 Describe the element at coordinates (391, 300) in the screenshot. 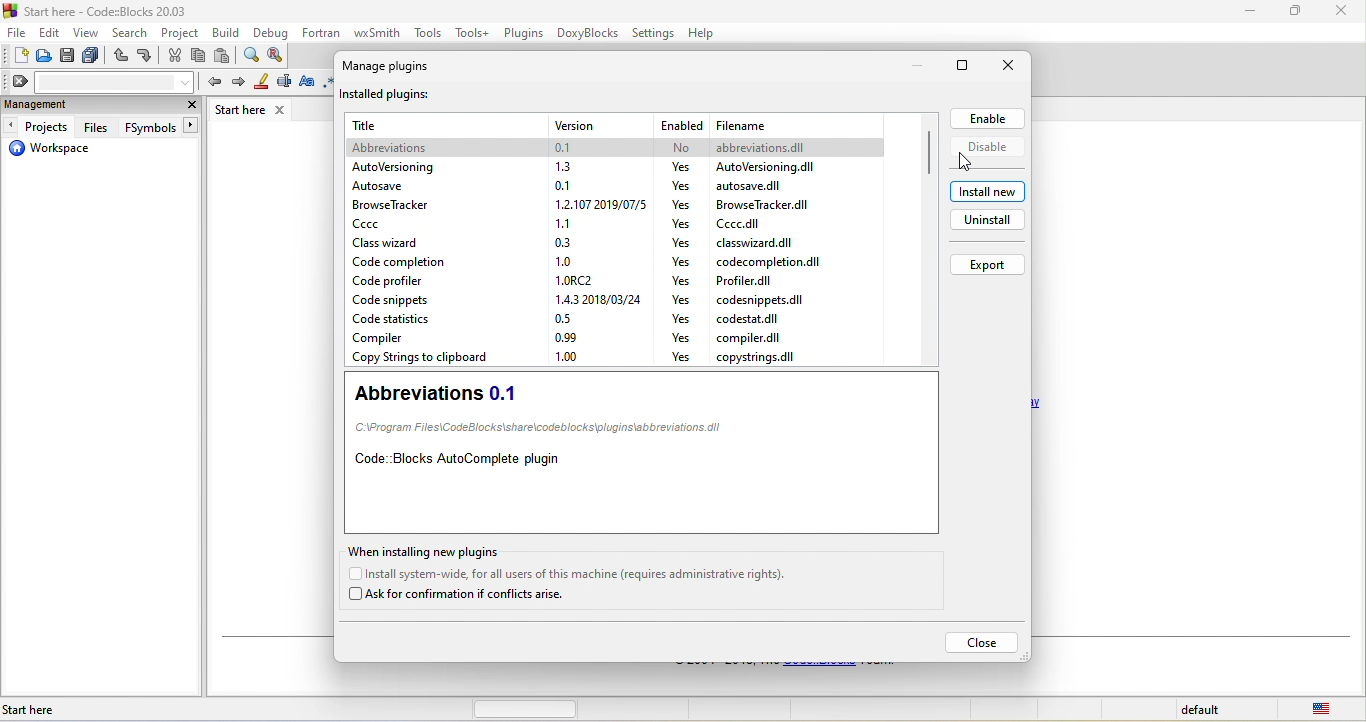

I see `code snippets` at that location.